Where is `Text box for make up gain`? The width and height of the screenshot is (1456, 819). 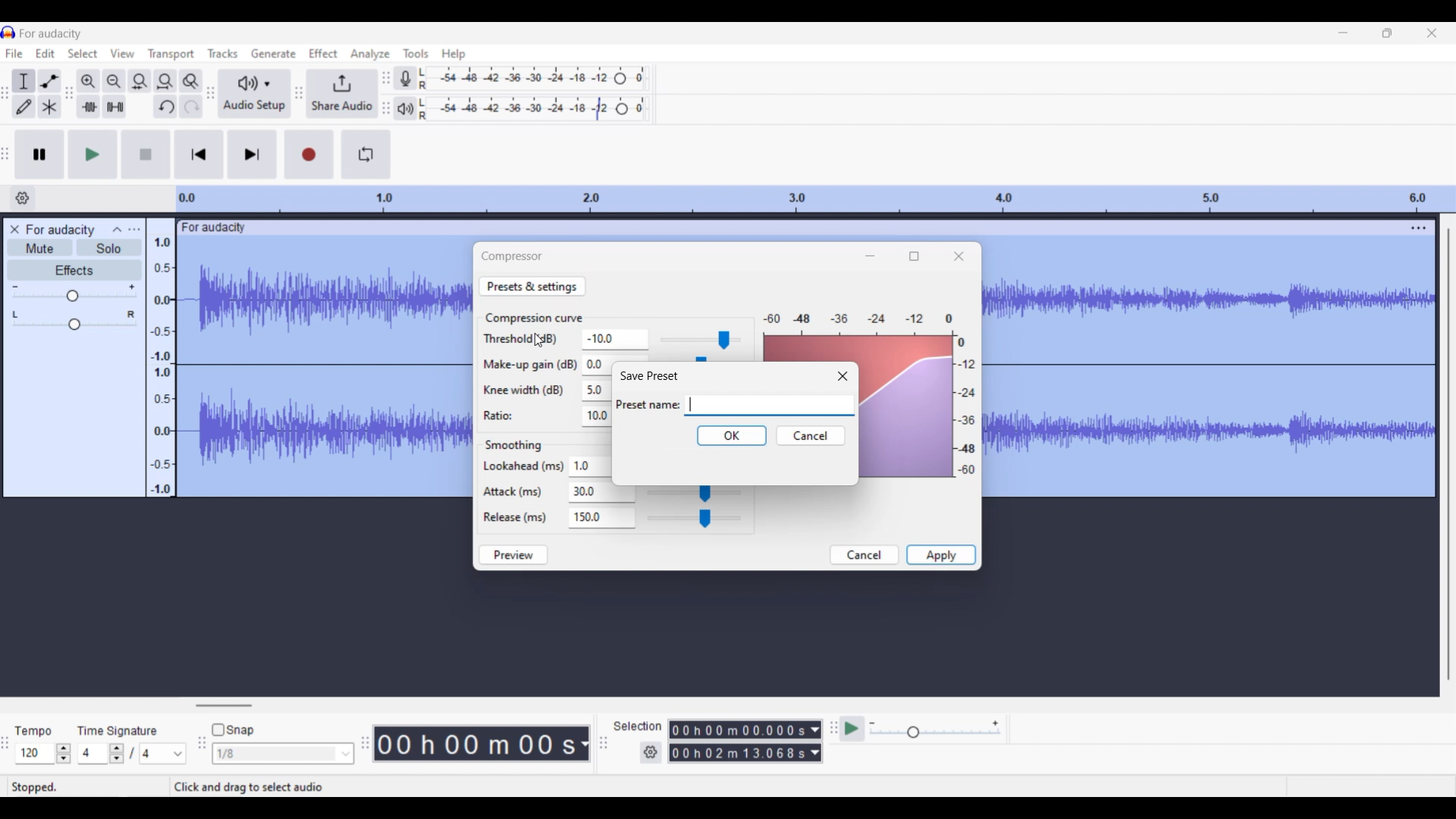 Text box for make up gain is located at coordinates (597, 365).